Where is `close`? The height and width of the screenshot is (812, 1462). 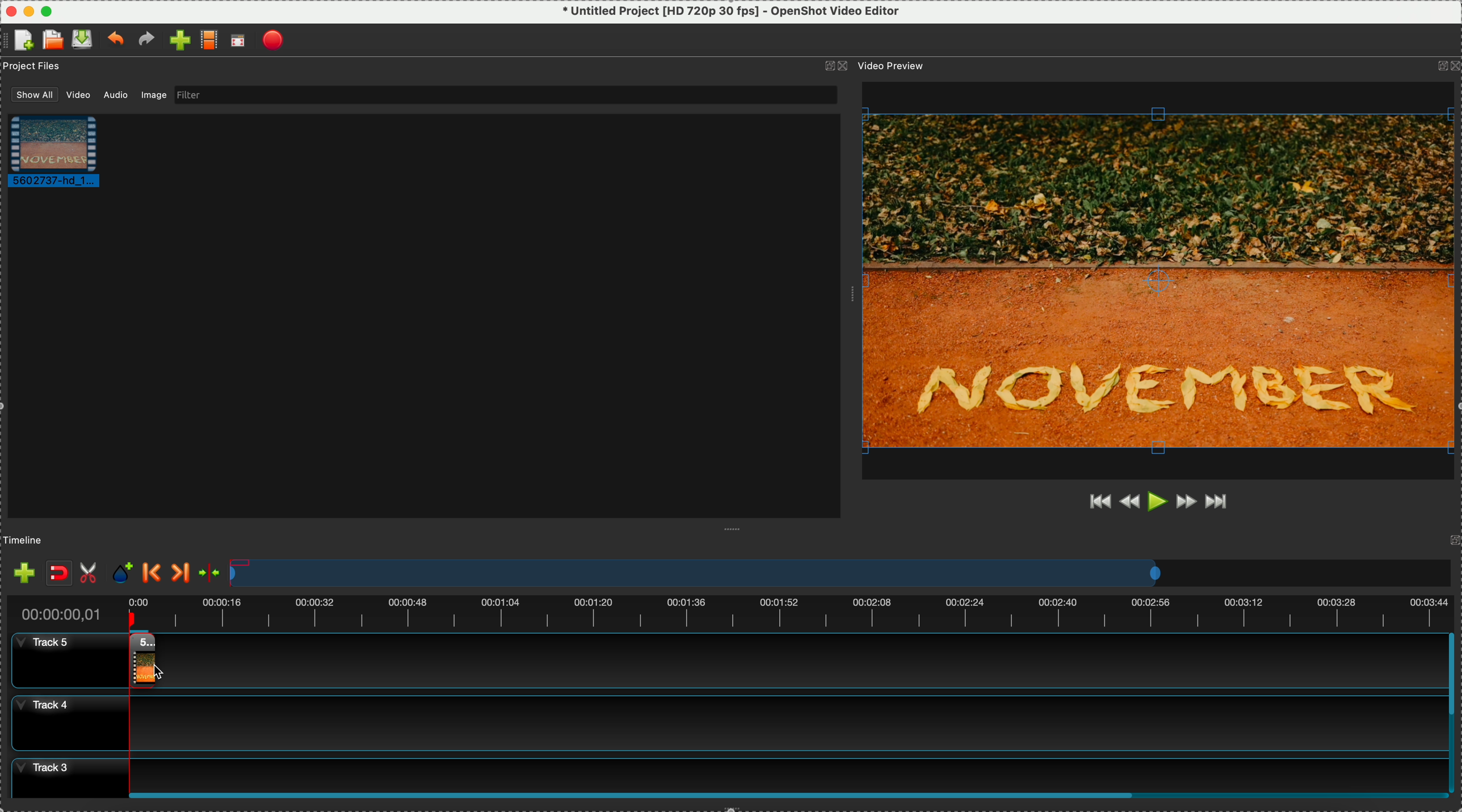 close is located at coordinates (9, 9).